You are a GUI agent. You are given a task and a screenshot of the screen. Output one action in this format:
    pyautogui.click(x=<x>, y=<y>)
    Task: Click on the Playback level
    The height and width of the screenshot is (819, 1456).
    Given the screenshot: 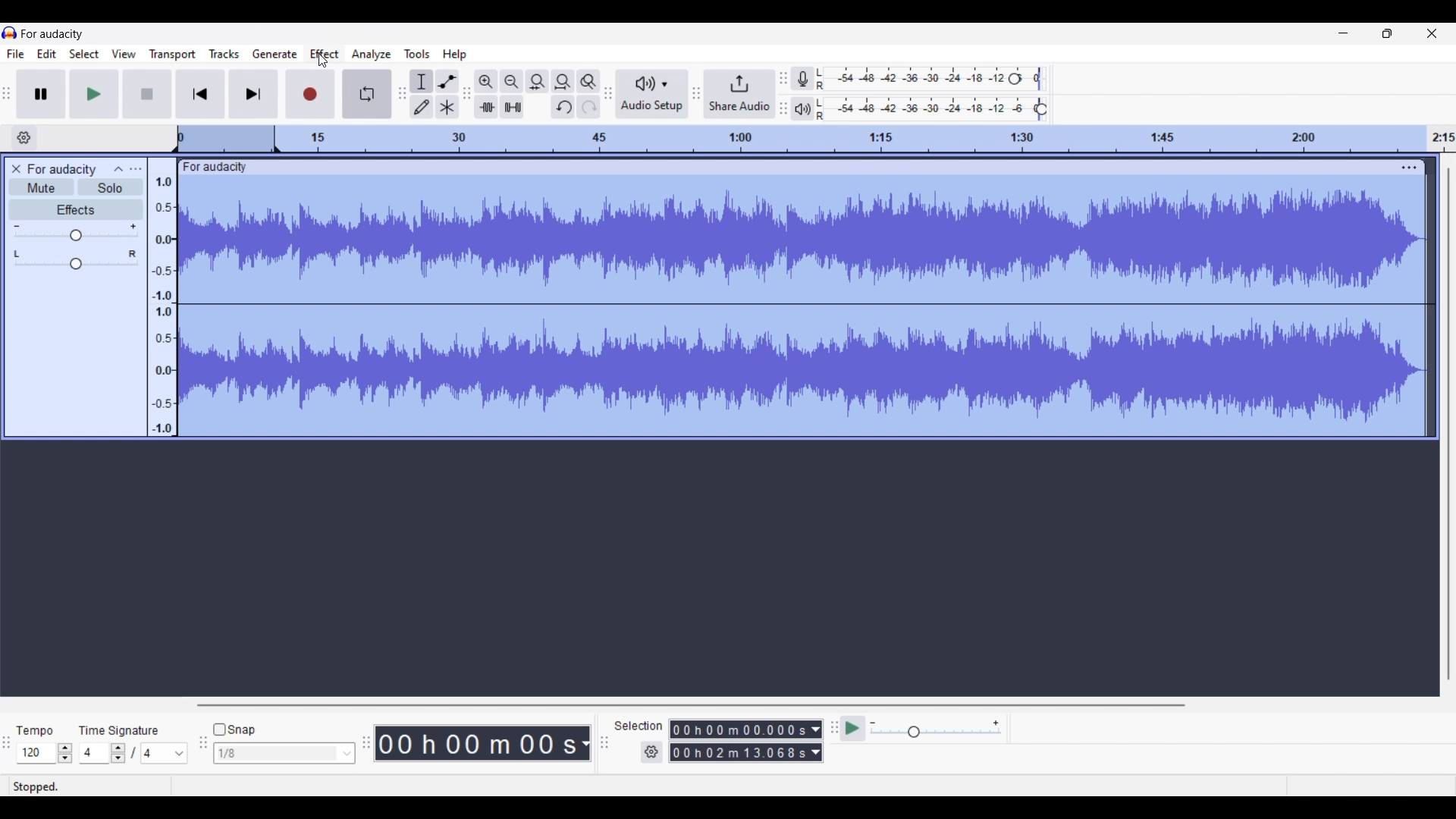 What is the action you would take?
    pyautogui.click(x=929, y=109)
    